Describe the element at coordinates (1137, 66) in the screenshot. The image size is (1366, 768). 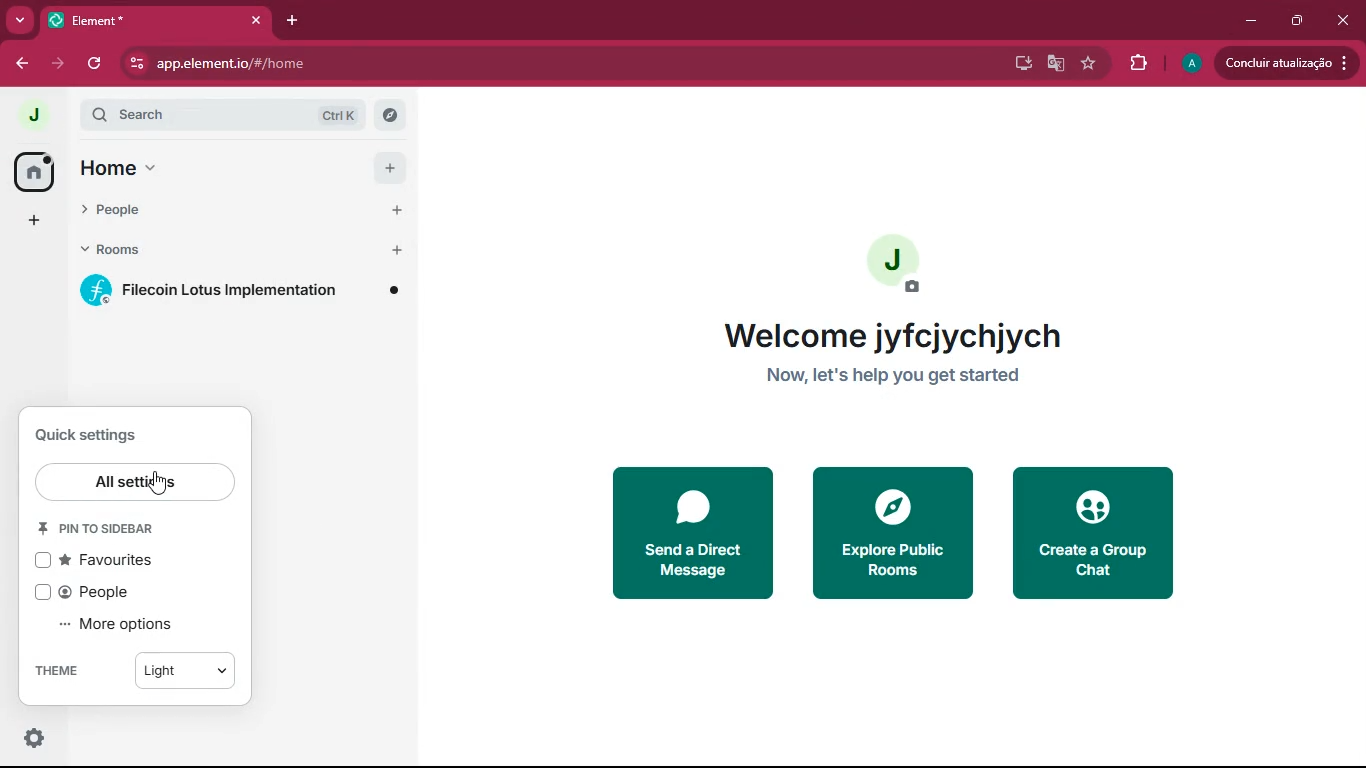
I see `extensions` at that location.